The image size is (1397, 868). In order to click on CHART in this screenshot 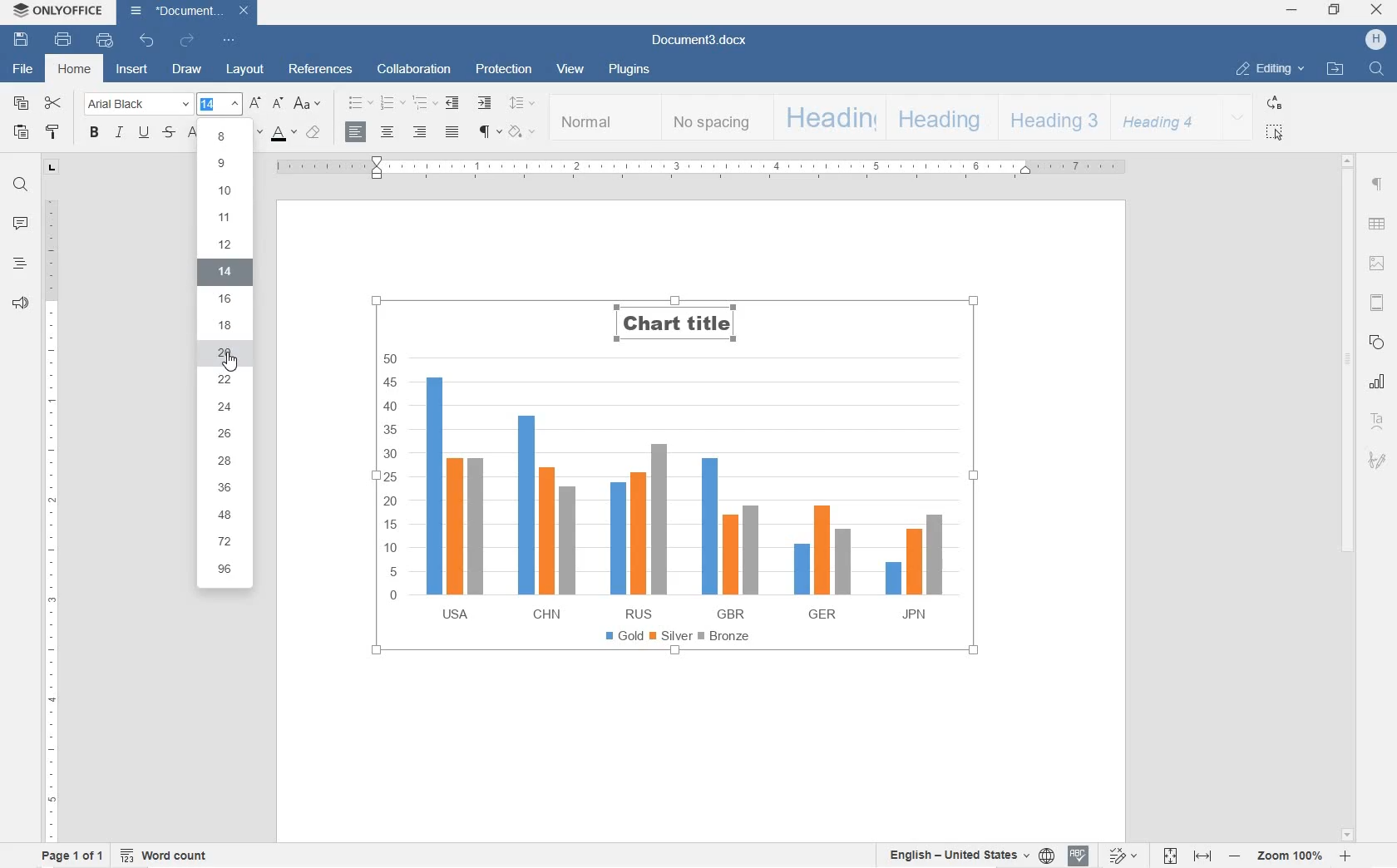, I will do `click(680, 533)`.